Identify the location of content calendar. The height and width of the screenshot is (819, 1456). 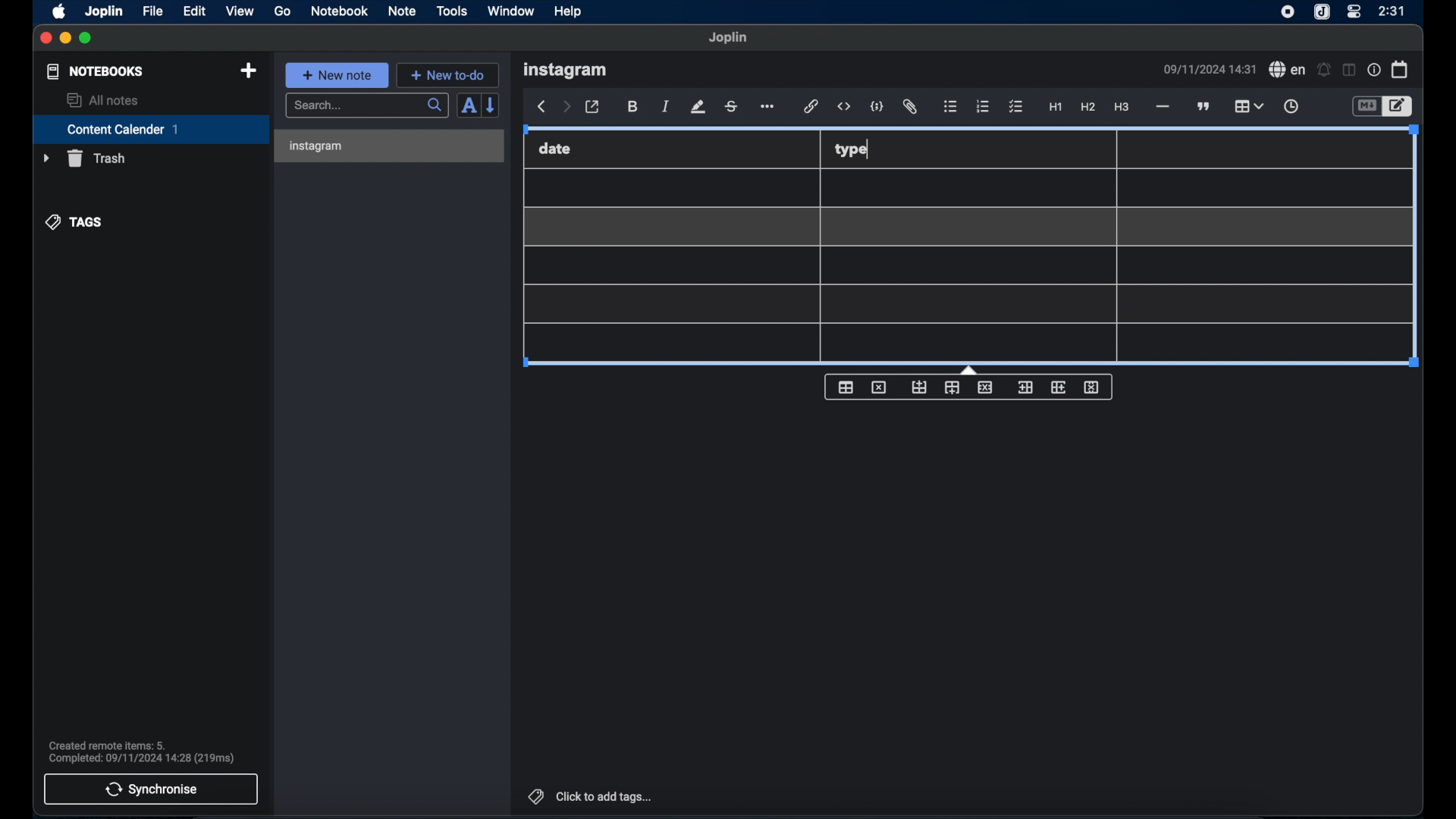
(151, 129).